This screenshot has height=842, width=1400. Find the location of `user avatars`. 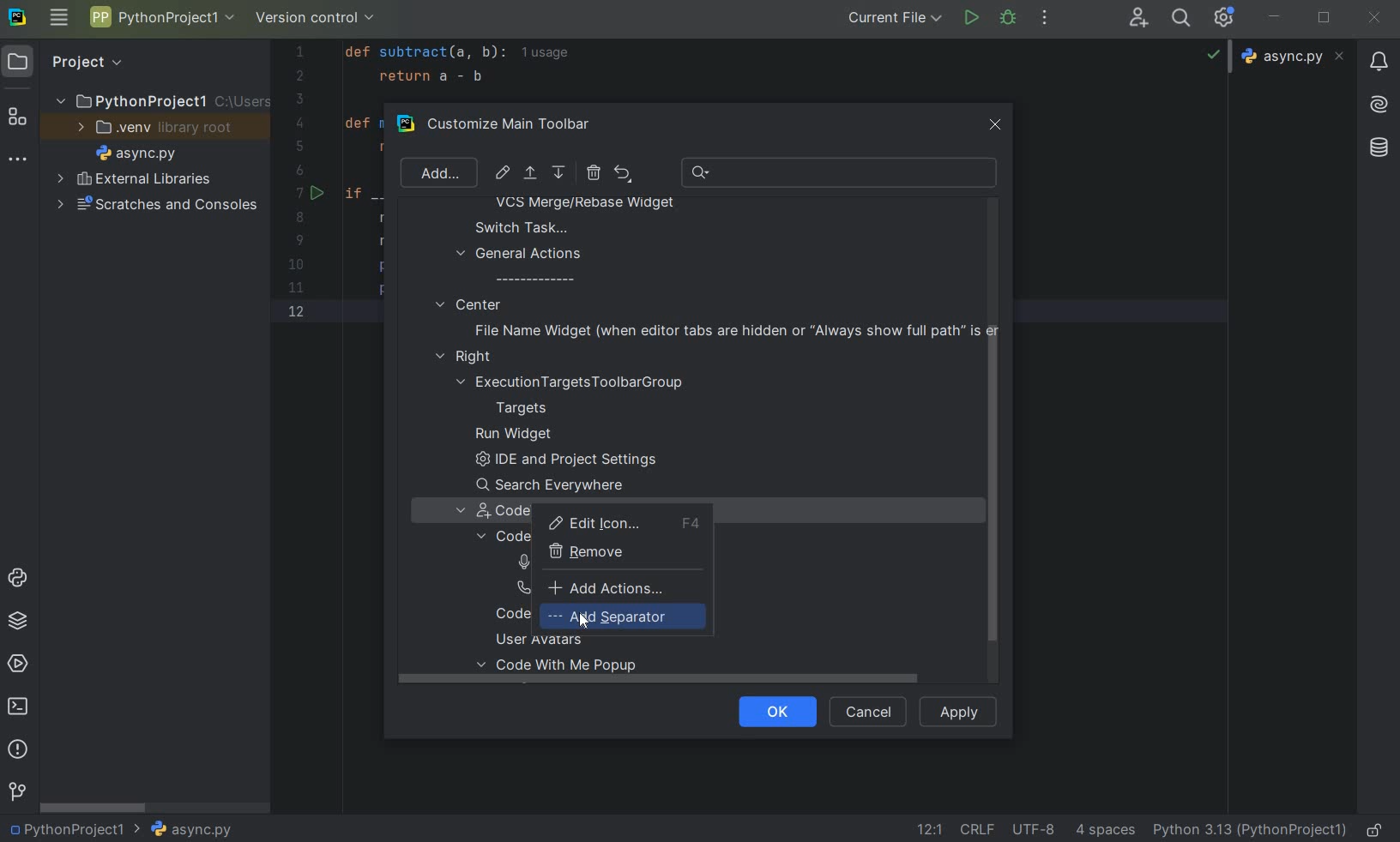

user avatars is located at coordinates (546, 640).